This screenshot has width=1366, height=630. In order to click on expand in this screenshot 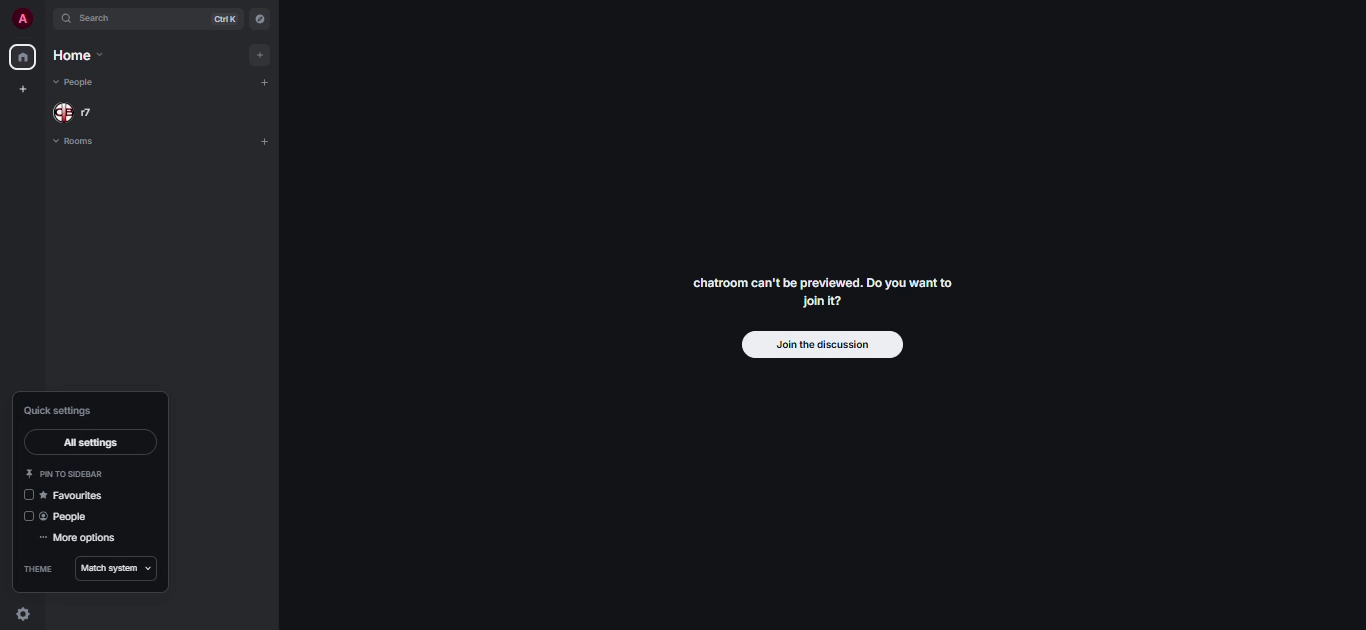, I will do `click(43, 19)`.